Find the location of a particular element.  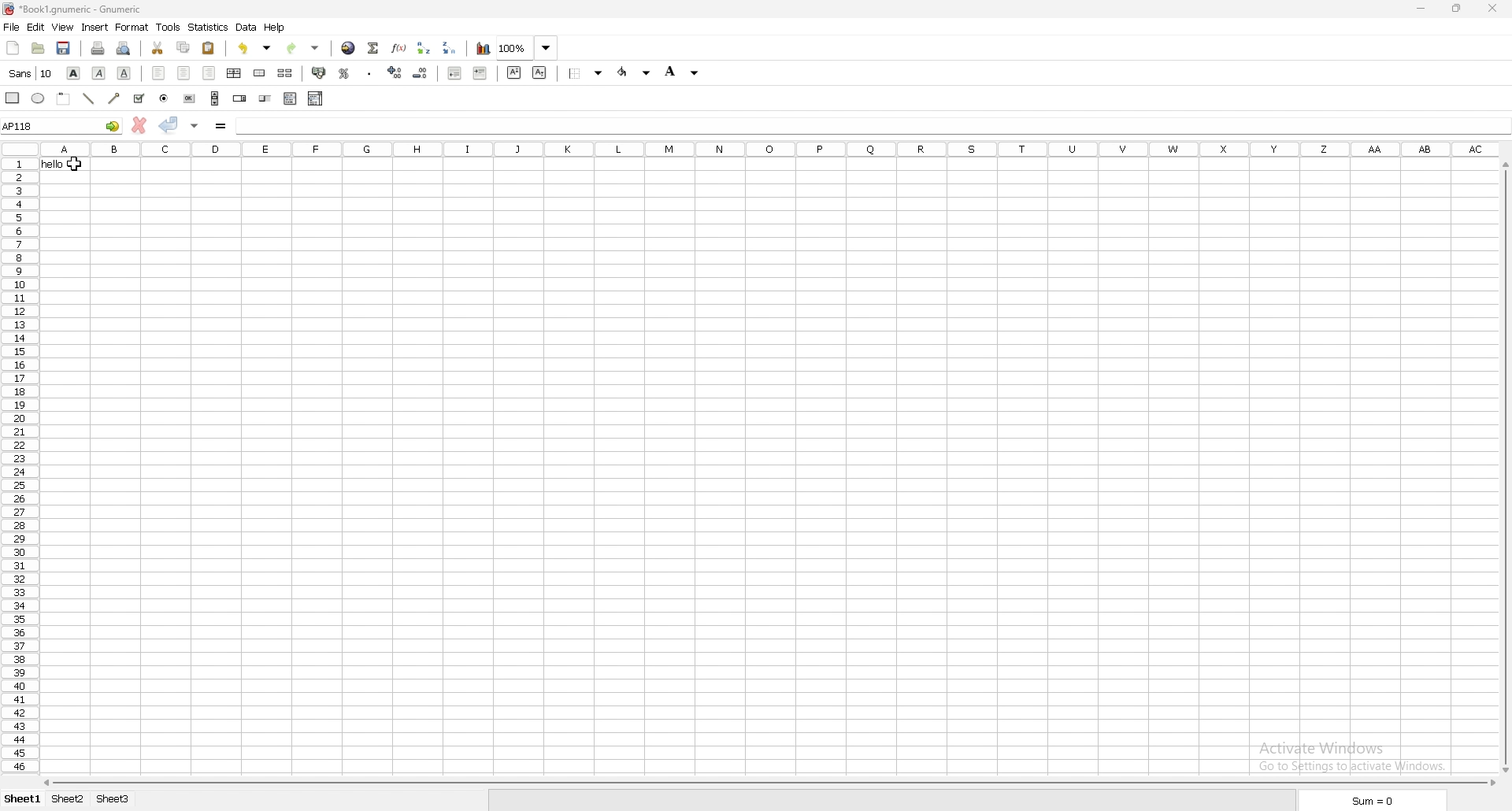

file name is located at coordinates (76, 9).